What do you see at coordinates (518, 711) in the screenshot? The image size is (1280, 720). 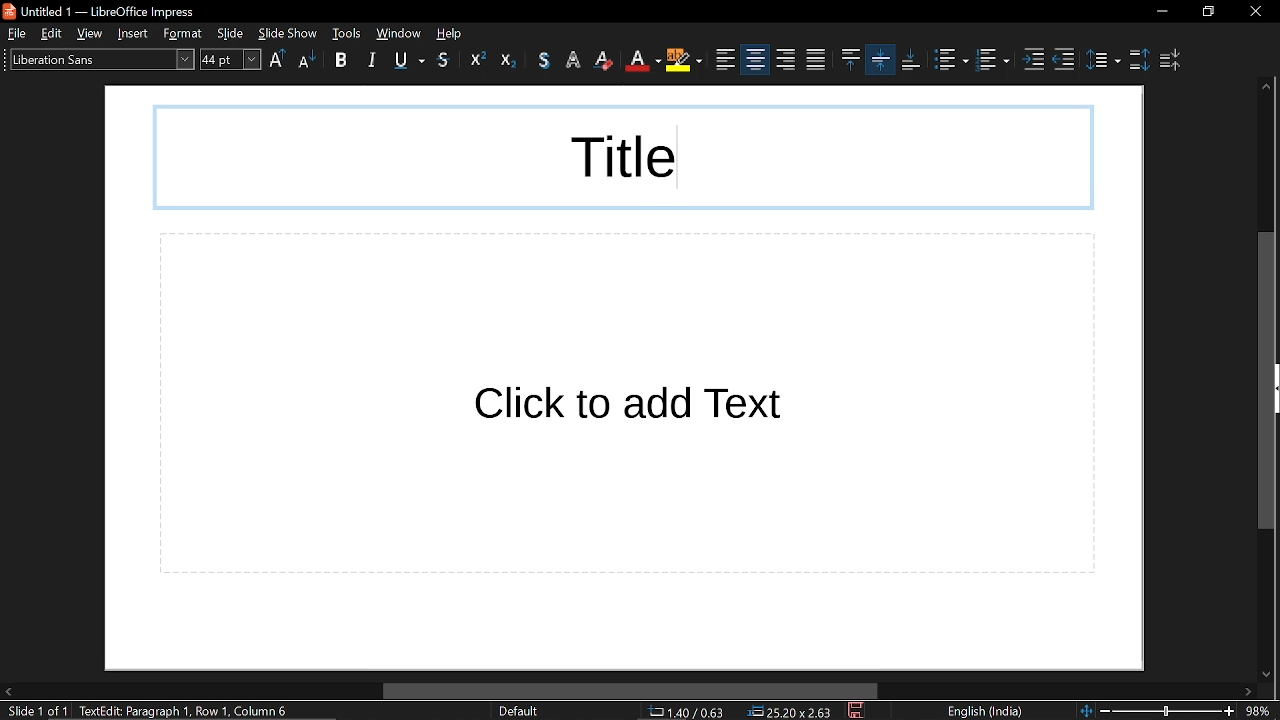 I see `slide style` at bounding box center [518, 711].